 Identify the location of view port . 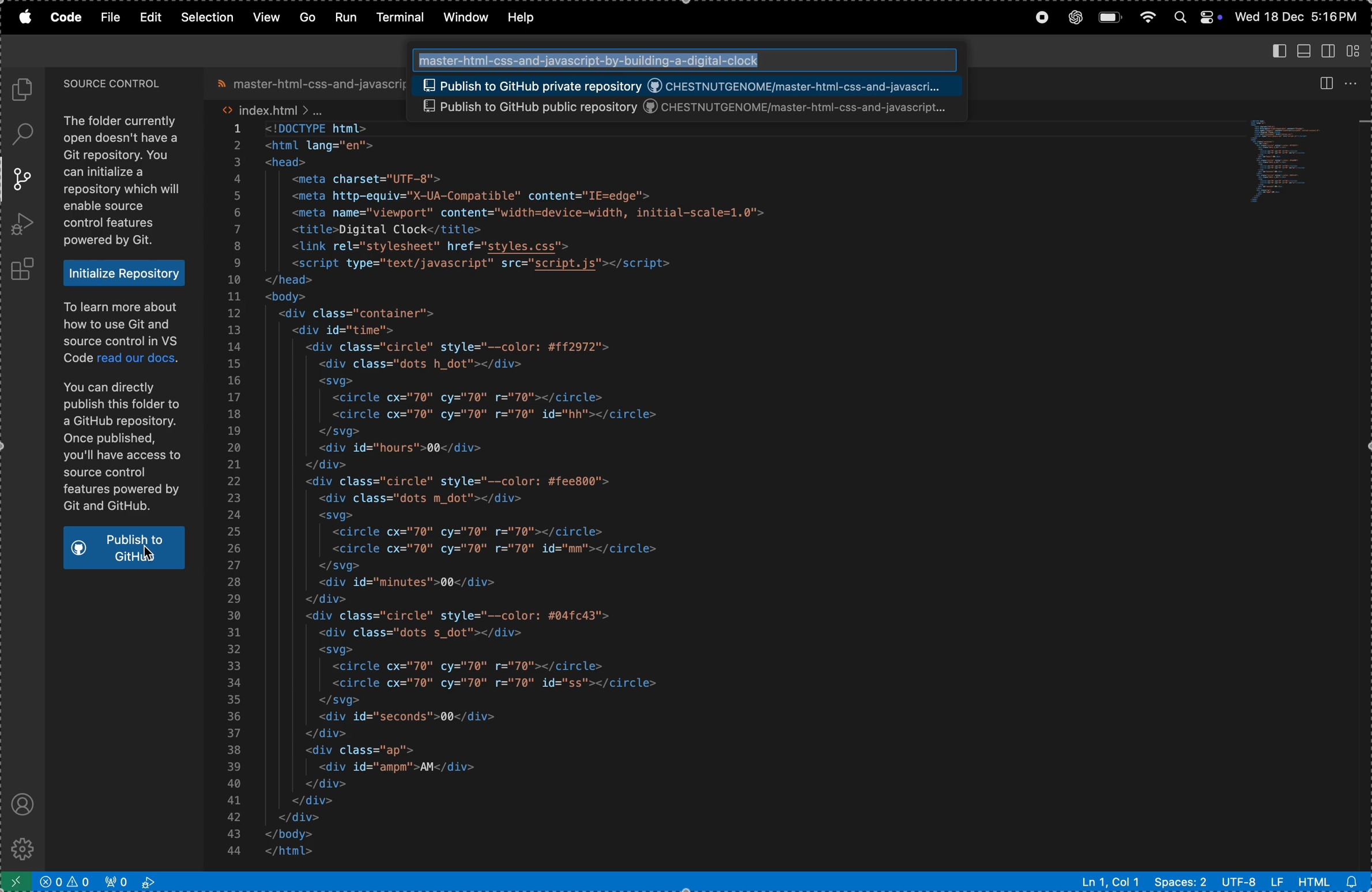
(136, 881).